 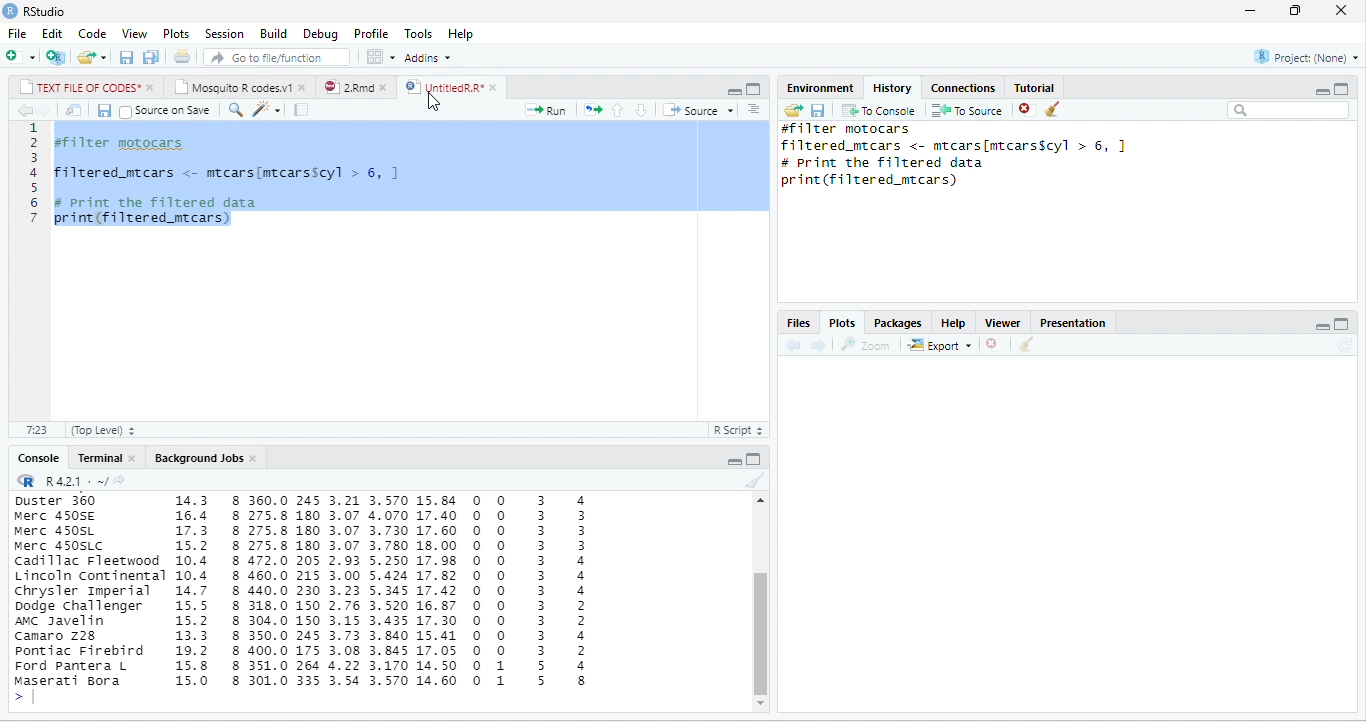 What do you see at coordinates (75, 481) in the screenshot?
I see `R 4.2.1 ~/` at bounding box center [75, 481].